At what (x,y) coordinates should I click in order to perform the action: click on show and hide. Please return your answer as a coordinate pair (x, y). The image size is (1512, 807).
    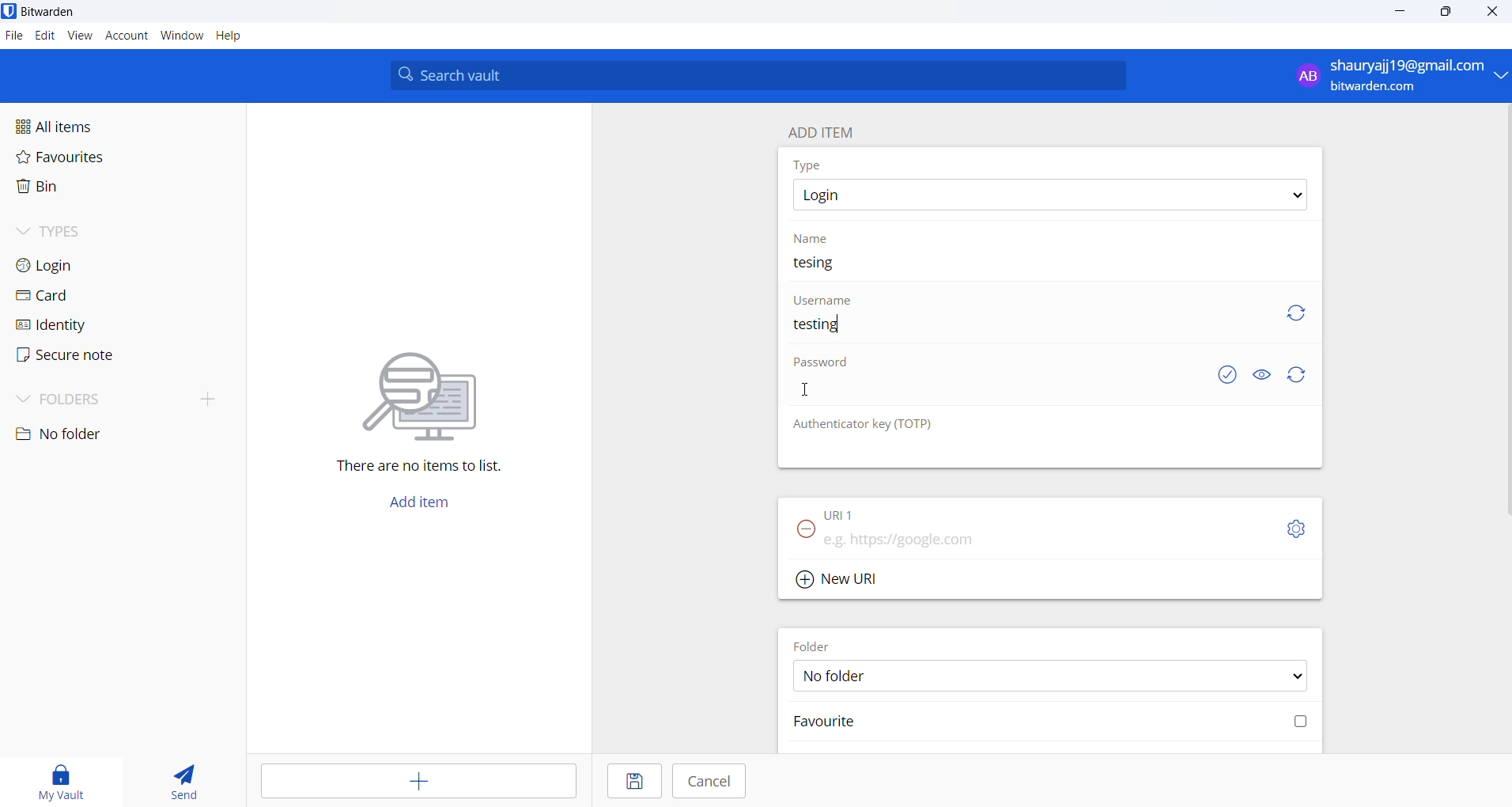
    Looking at the image, I should click on (1262, 374).